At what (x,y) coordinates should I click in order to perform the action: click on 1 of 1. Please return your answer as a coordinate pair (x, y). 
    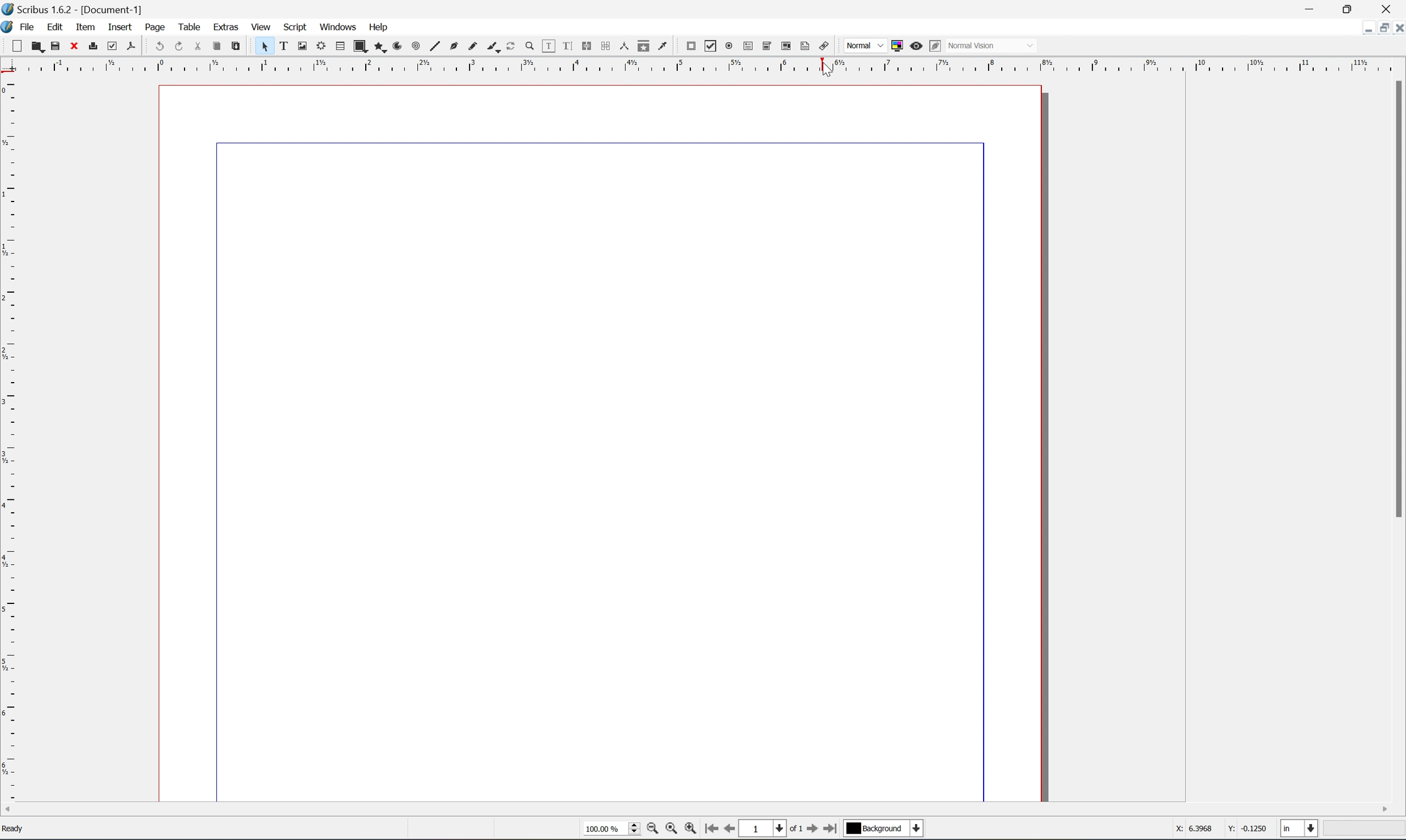
    Looking at the image, I should click on (771, 829).